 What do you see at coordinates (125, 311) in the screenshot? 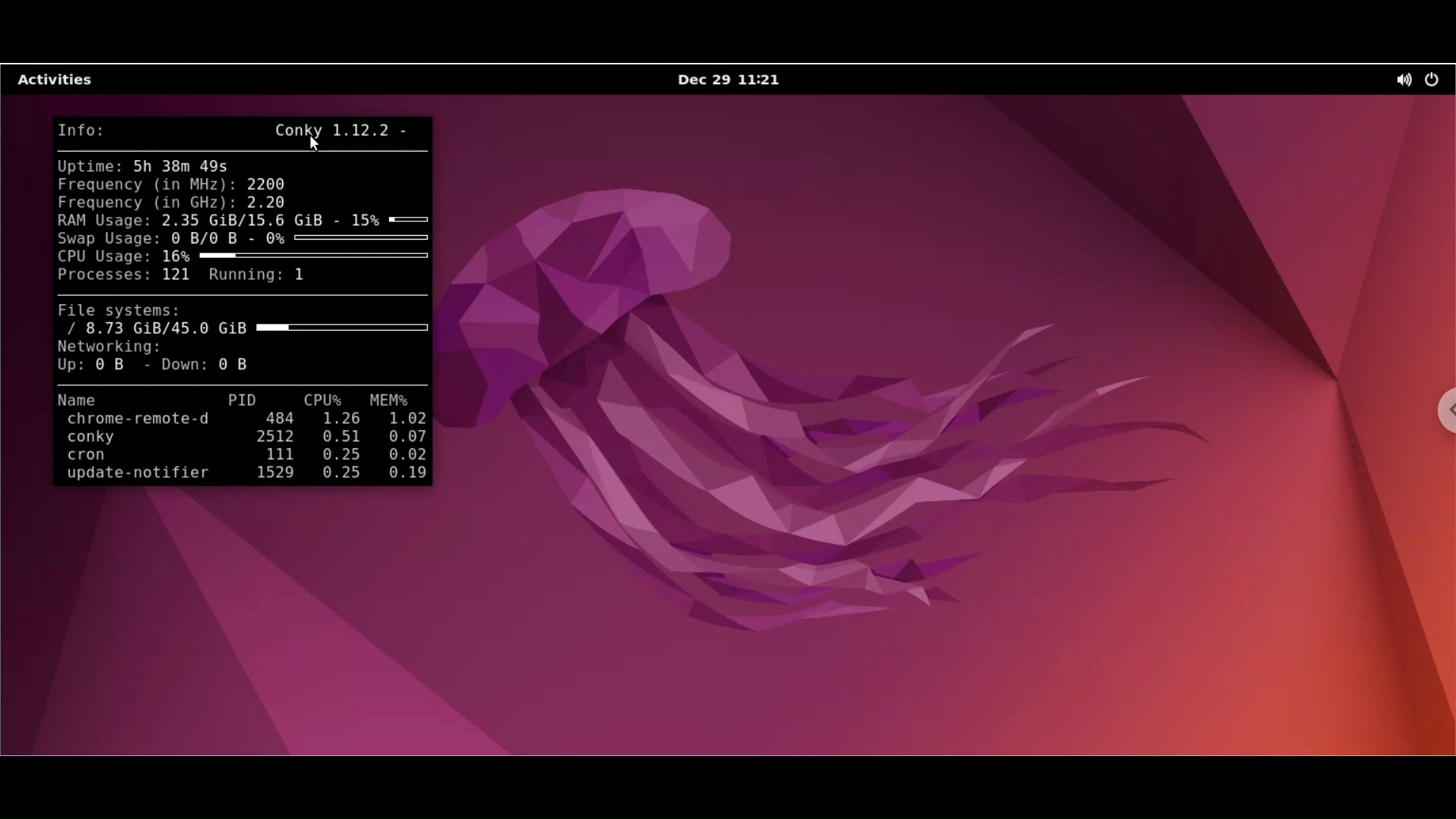
I see `file systems:` at bounding box center [125, 311].